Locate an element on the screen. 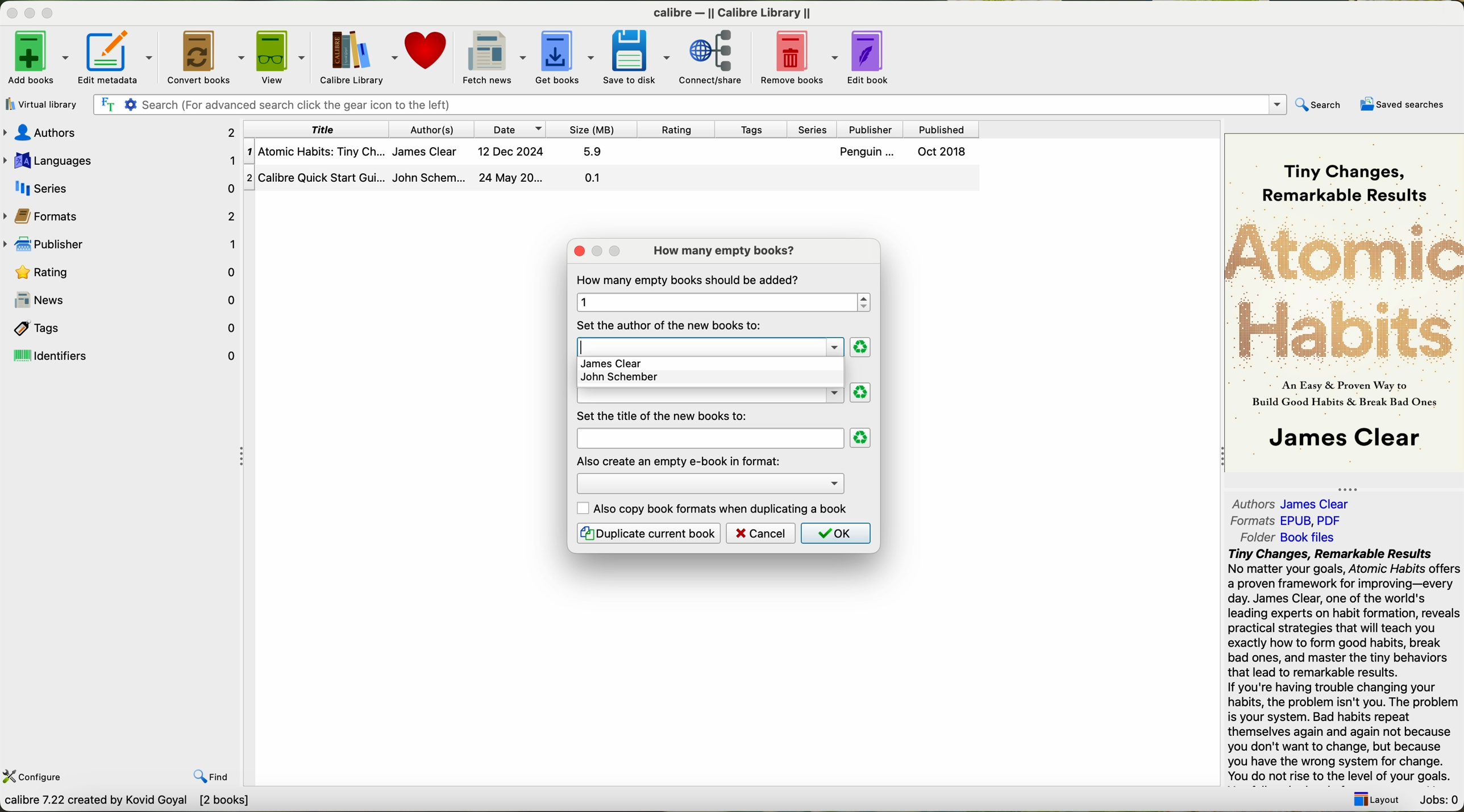  edit metadata is located at coordinates (117, 57).